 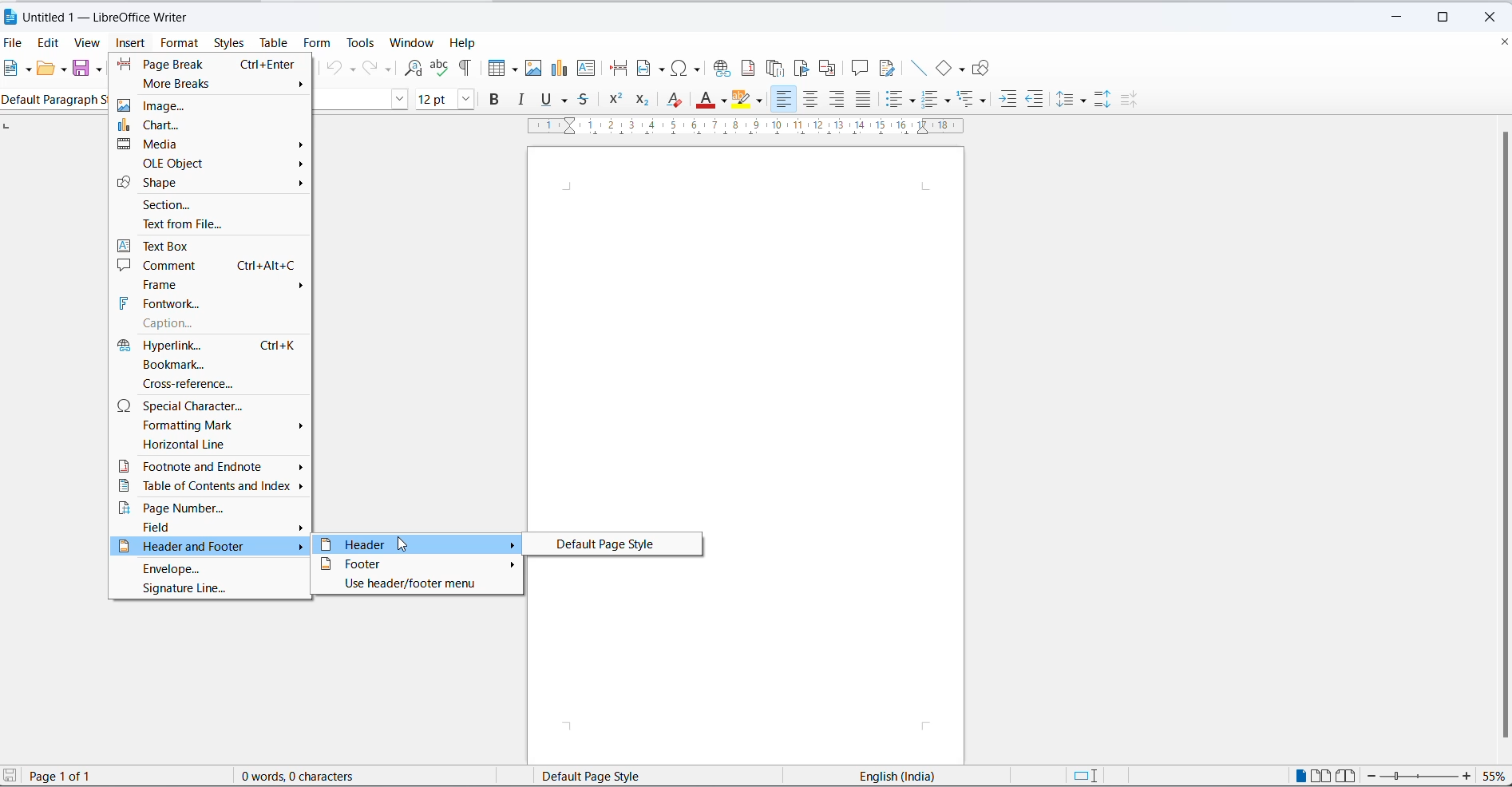 What do you see at coordinates (350, 98) in the screenshot?
I see `font name` at bounding box center [350, 98].